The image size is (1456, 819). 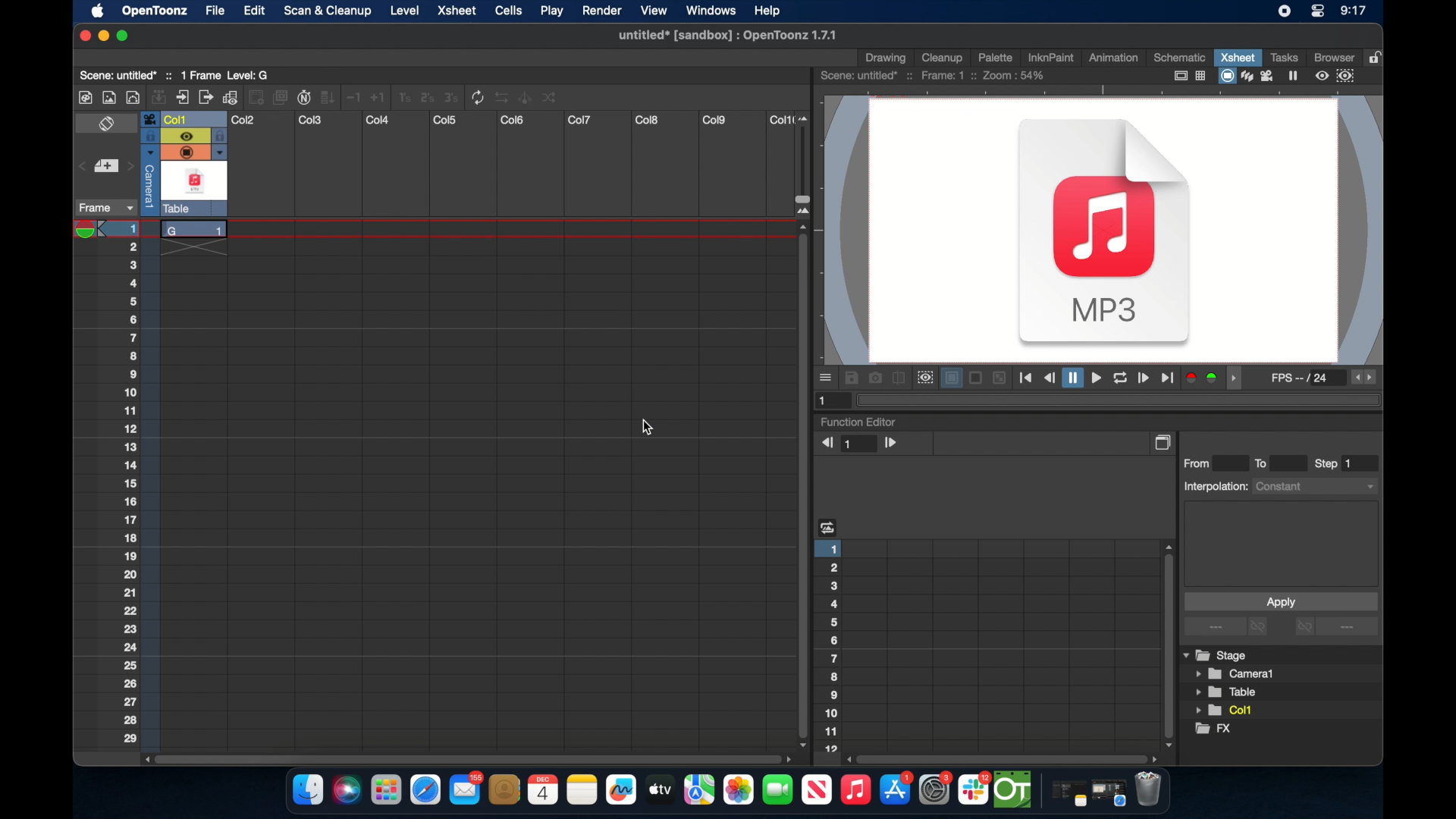 What do you see at coordinates (855, 790) in the screenshot?
I see `music` at bounding box center [855, 790].